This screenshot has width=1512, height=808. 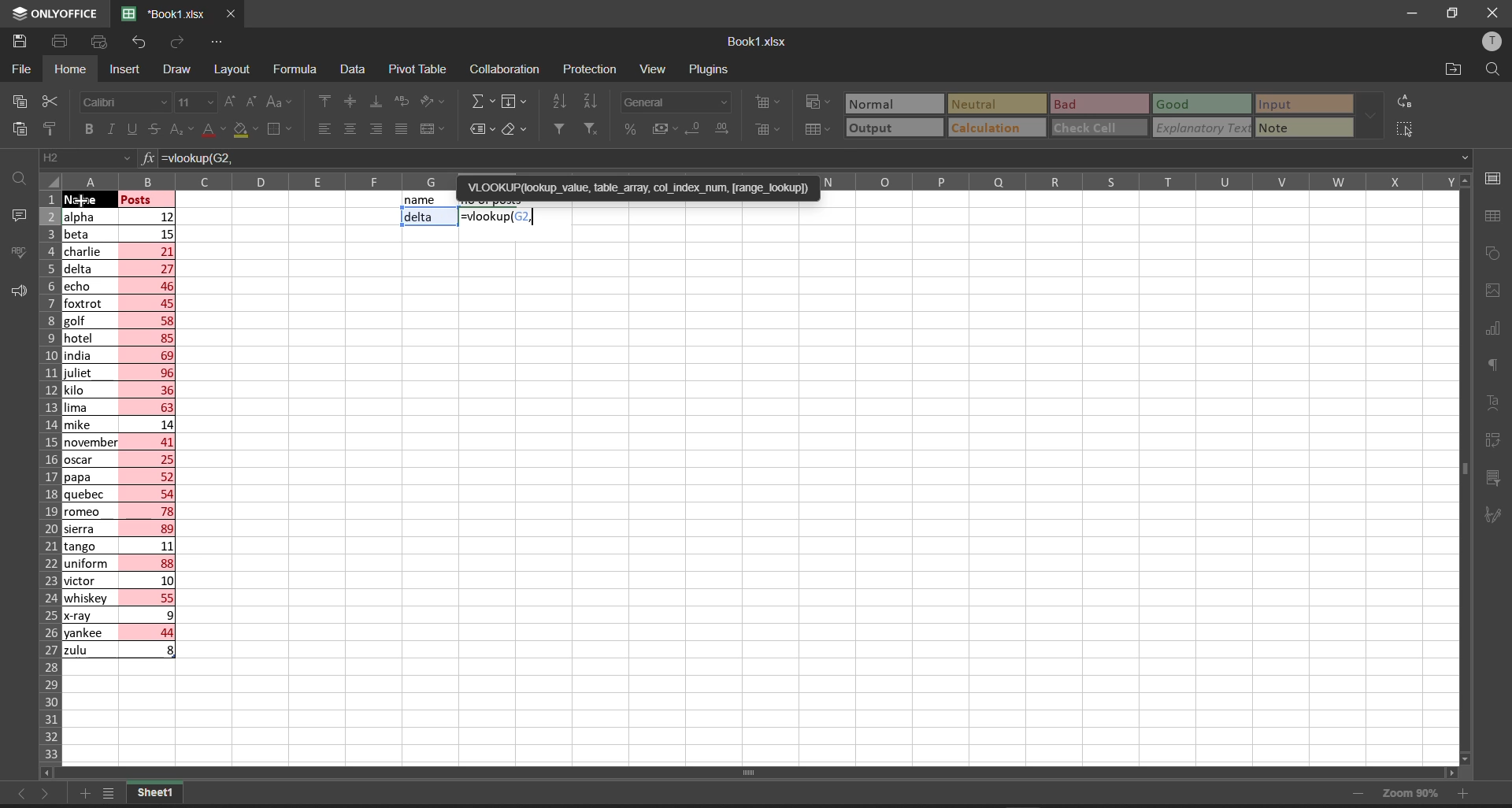 What do you see at coordinates (113, 795) in the screenshot?
I see `list of sheets` at bounding box center [113, 795].